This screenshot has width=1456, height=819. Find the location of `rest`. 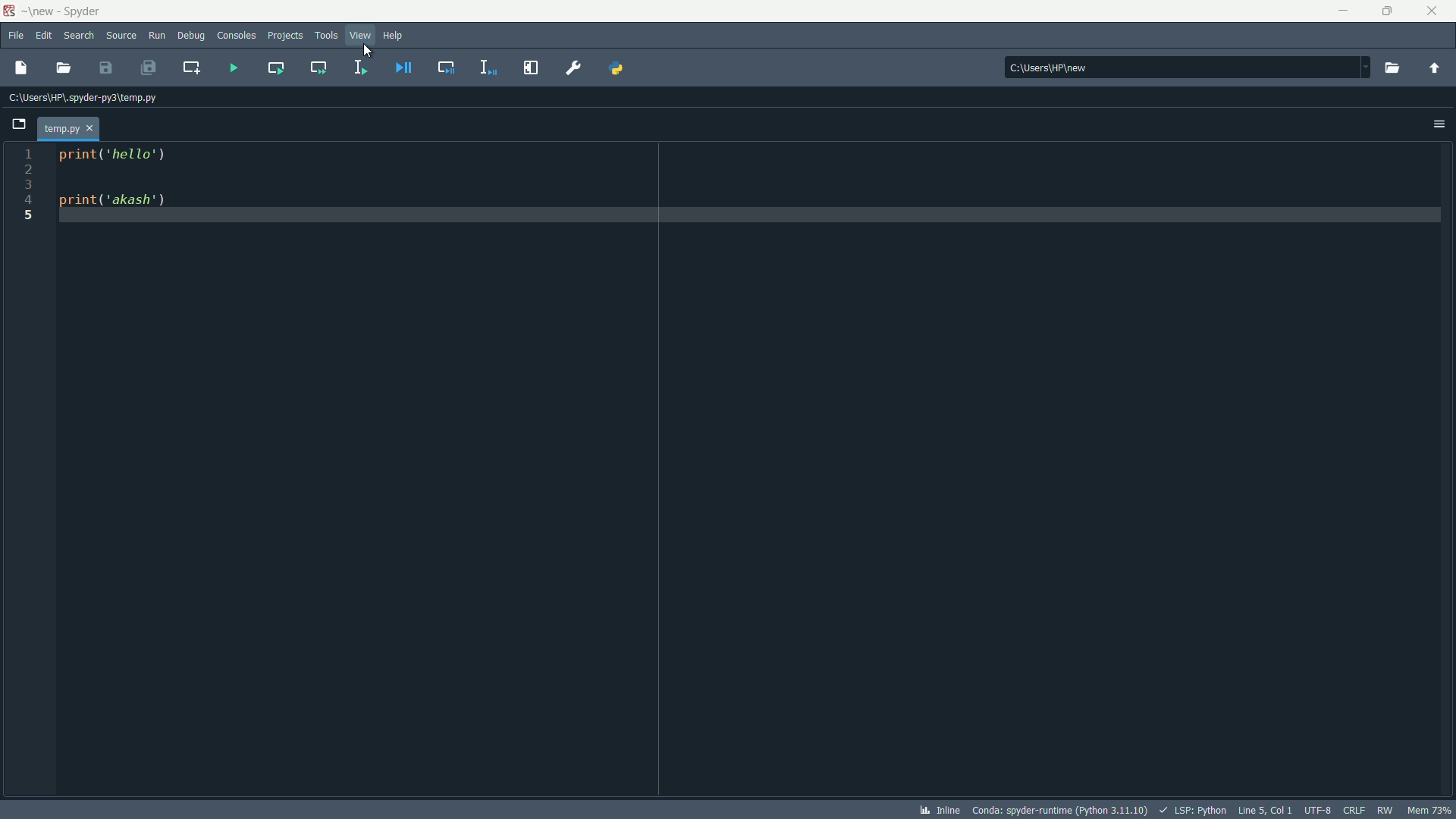

rest is located at coordinates (1388, 11).